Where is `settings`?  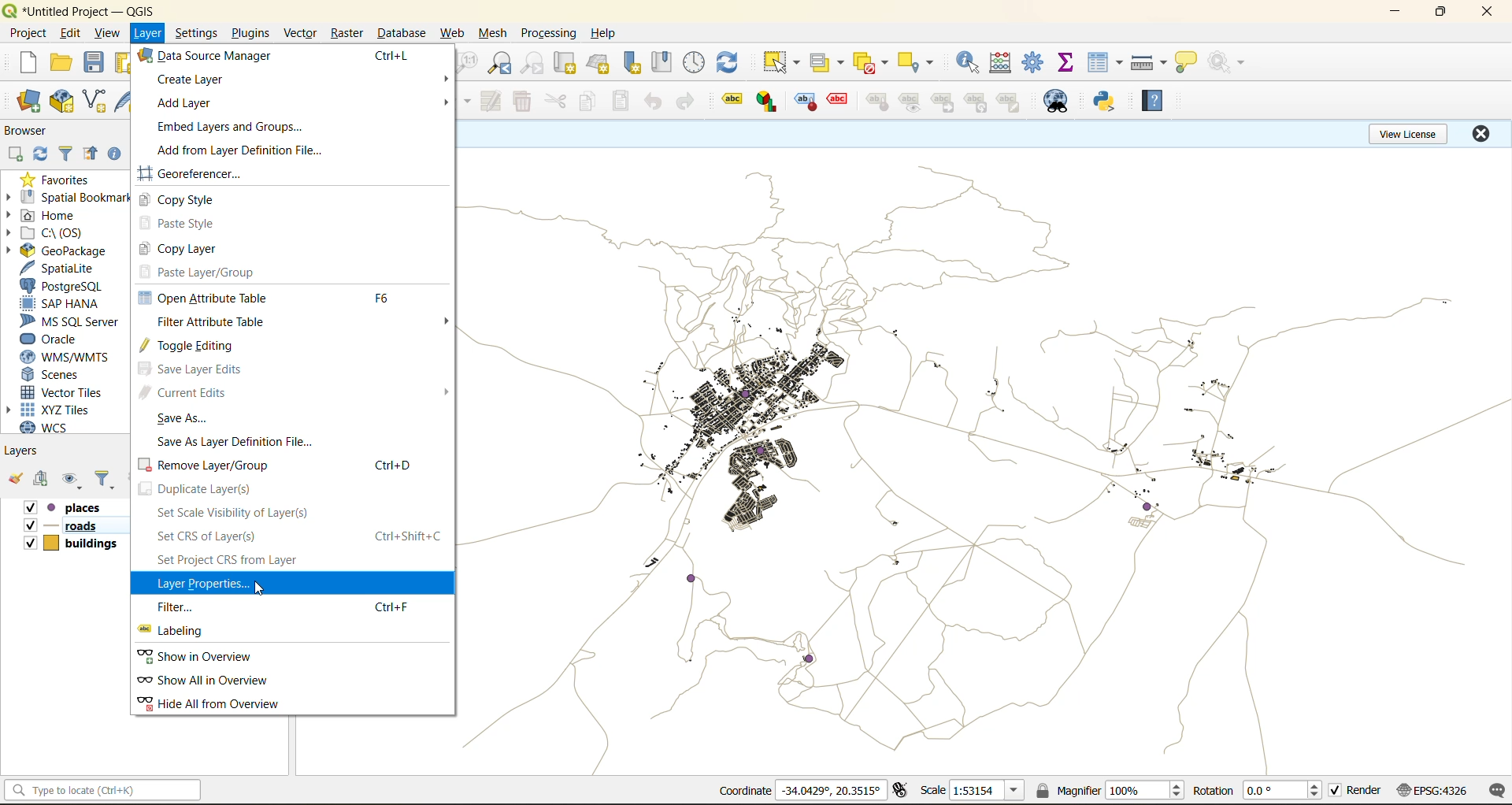 settings is located at coordinates (199, 33).